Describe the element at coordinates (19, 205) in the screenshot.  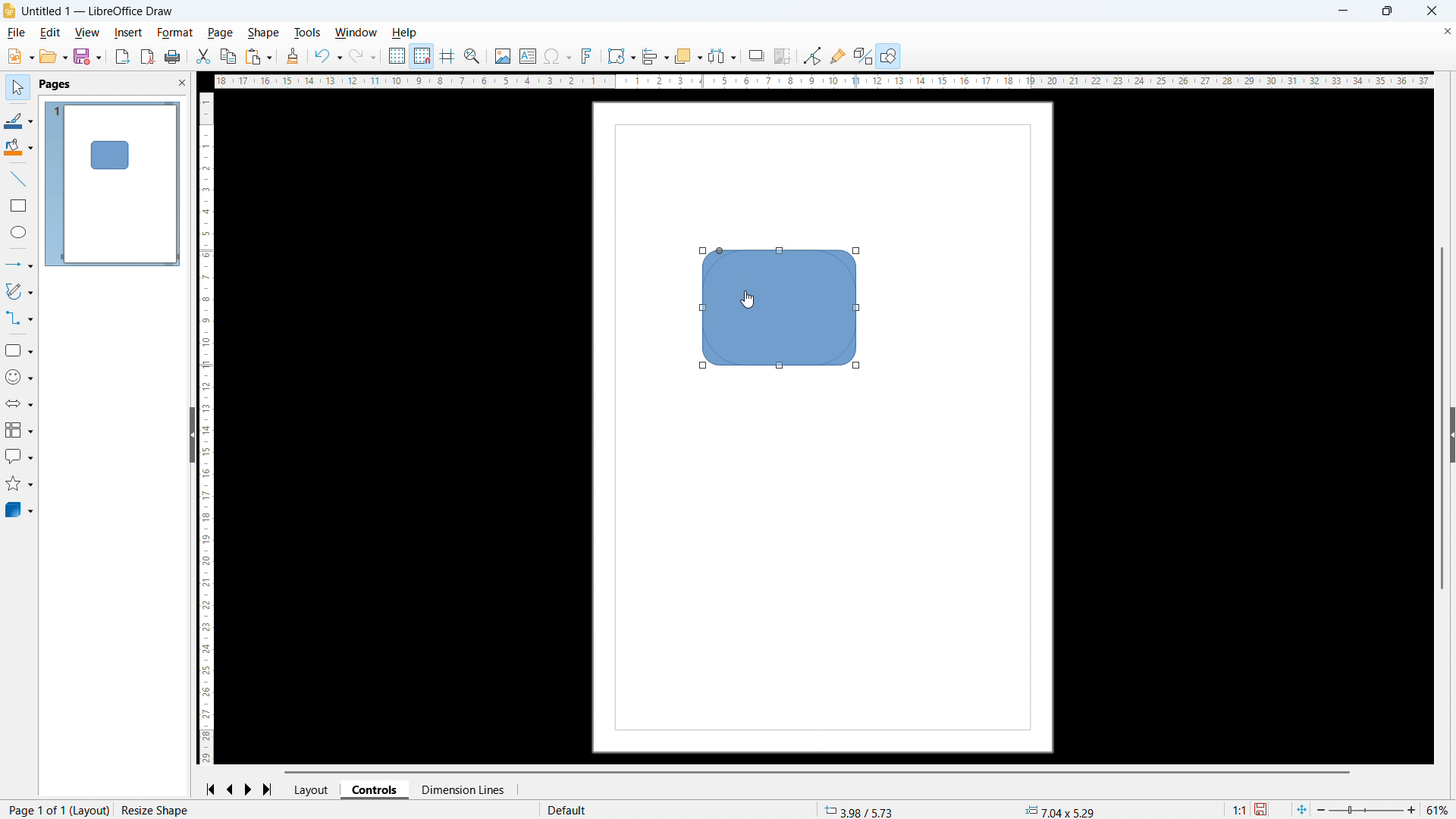
I see `Rectangle tool ` at that location.